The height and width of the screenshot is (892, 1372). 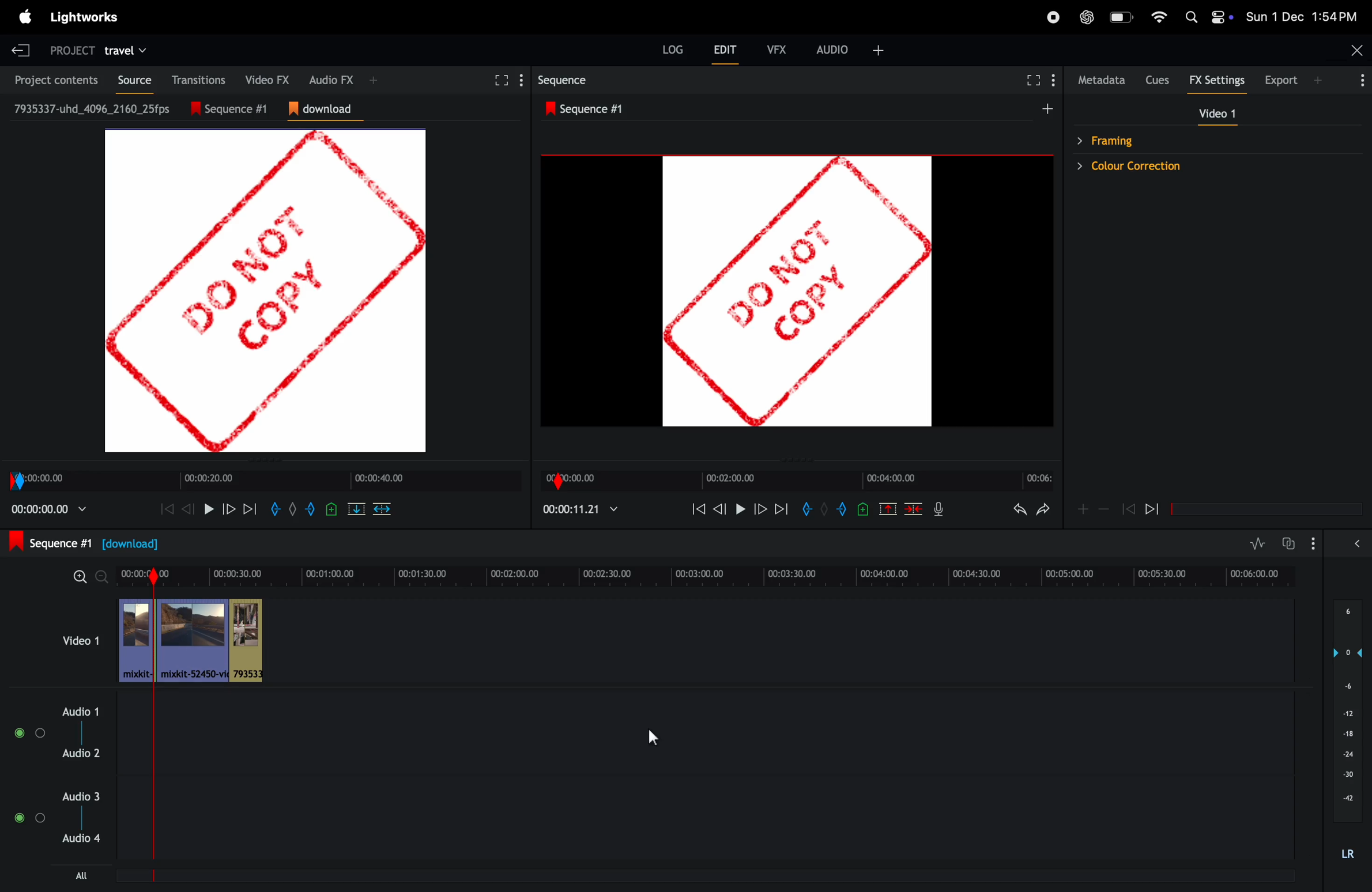 What do you see at coordinates (1043, 509) in the screenshot?
I see `redo` at bounding box center [1043, 509].